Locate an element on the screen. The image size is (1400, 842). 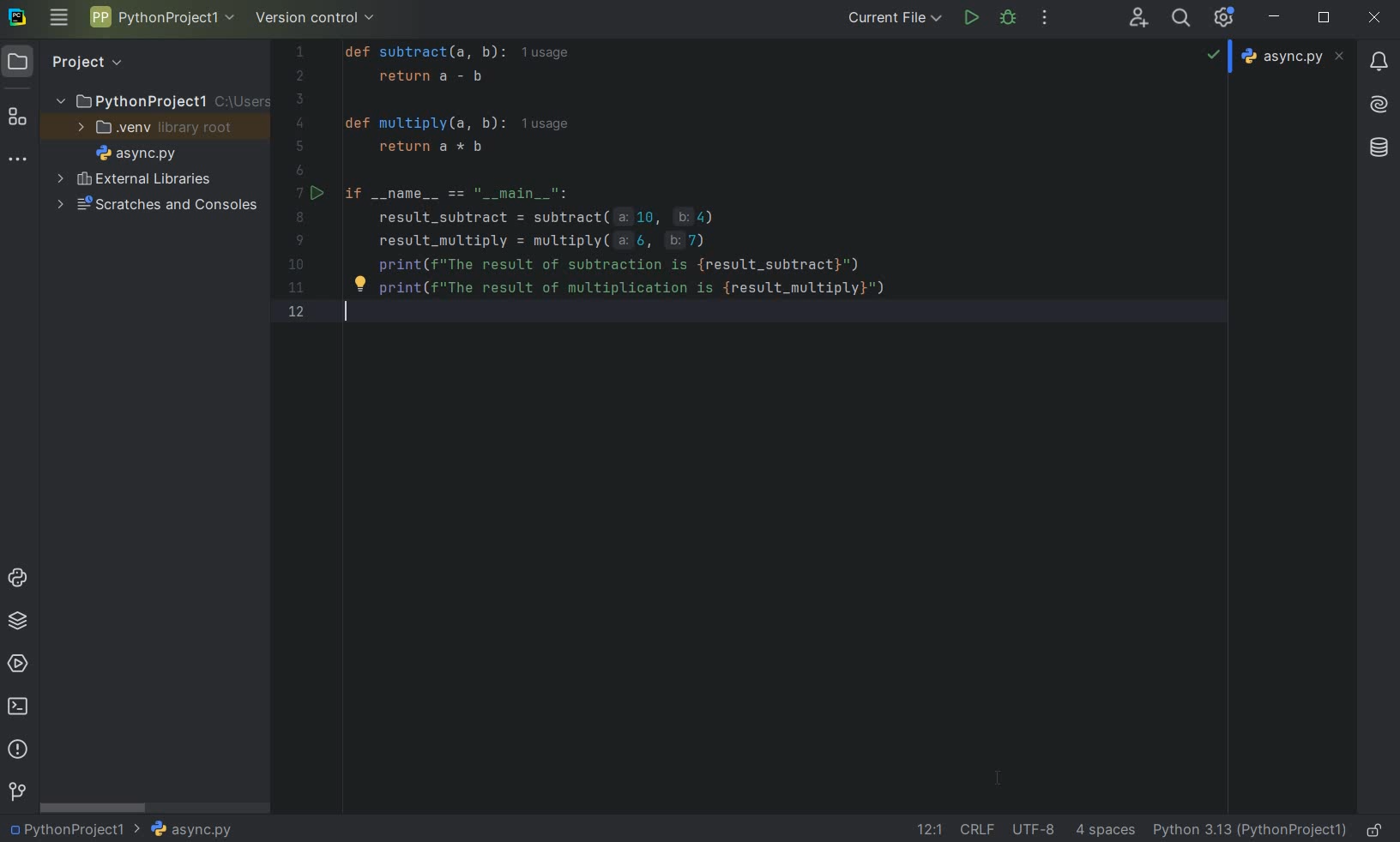
scratches and consoles is located at coordinates (157, 207).